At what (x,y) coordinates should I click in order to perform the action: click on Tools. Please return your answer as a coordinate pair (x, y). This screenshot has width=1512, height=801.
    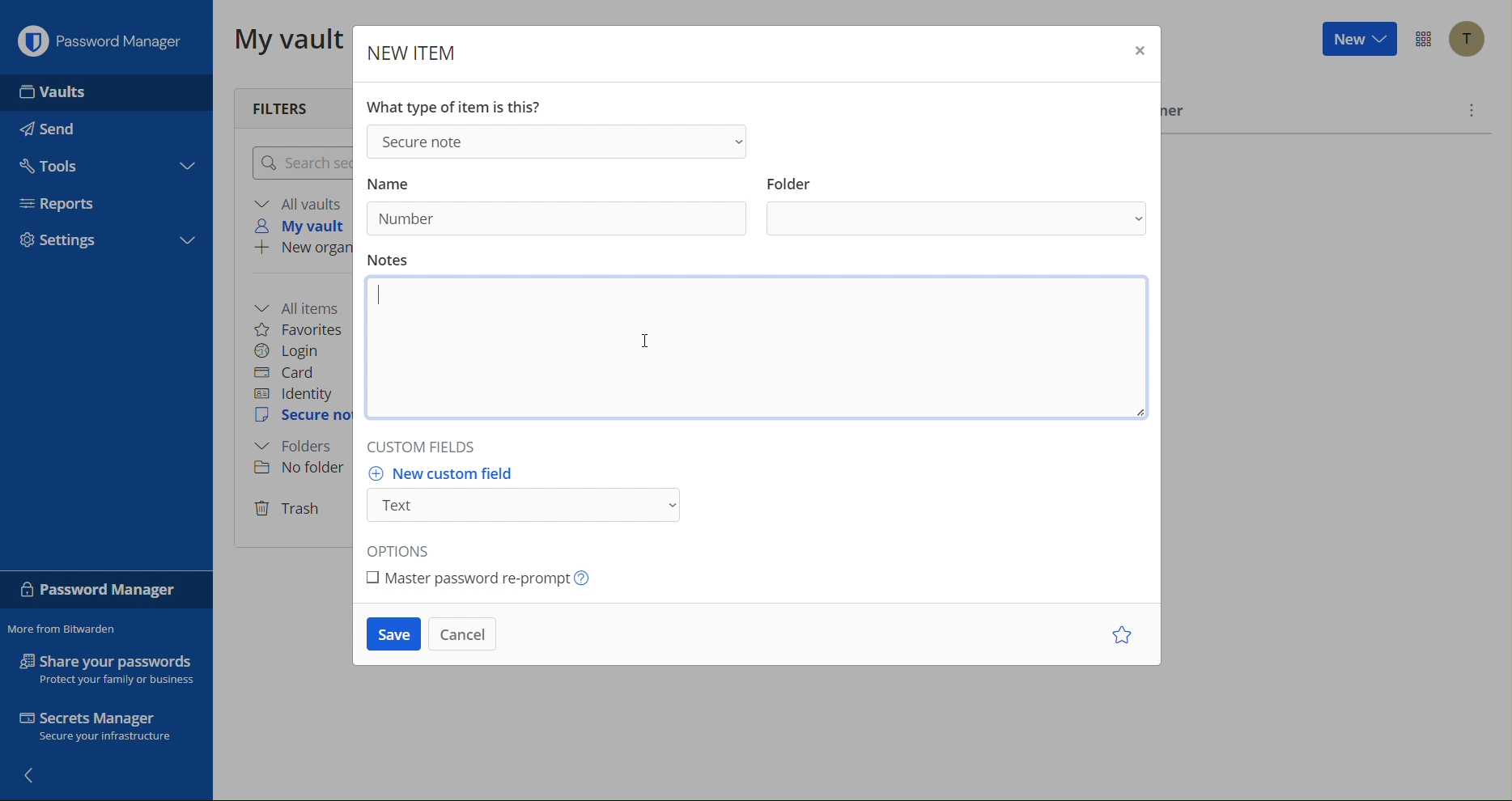
    Looking at the image, I should click on (55, 165).